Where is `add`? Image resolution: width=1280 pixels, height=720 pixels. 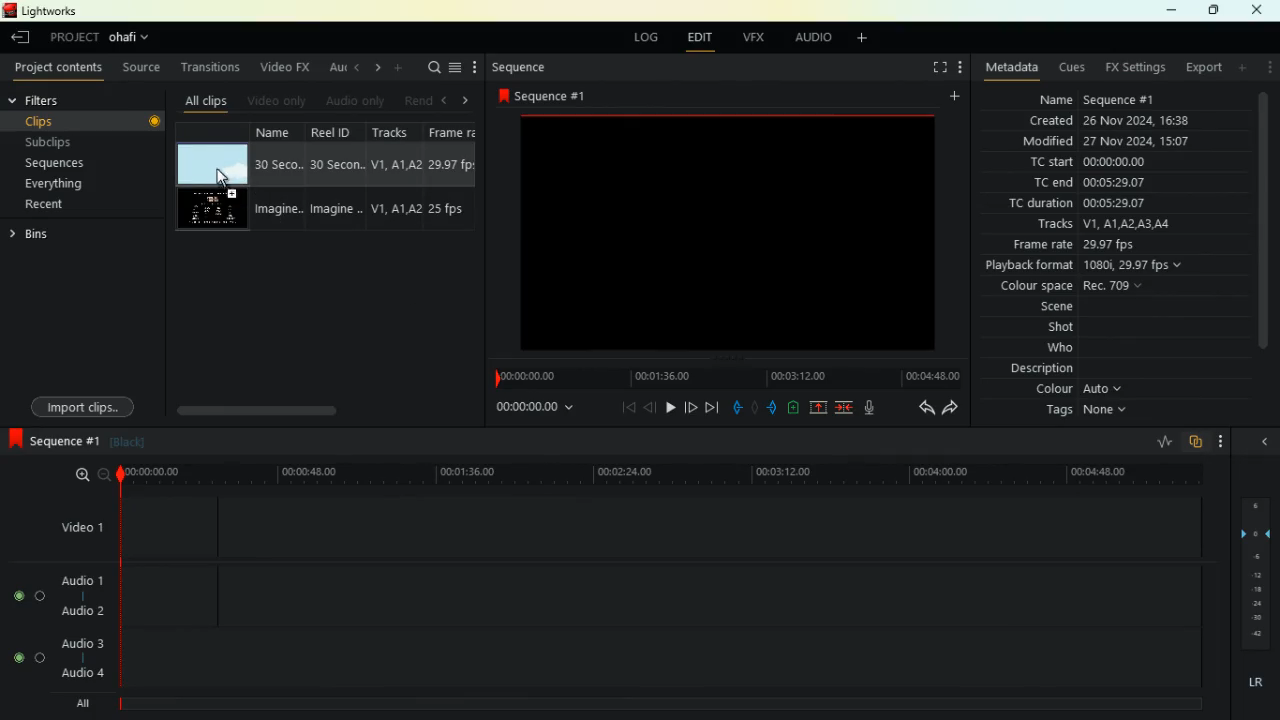 add is located at coordinates (1239, 67).